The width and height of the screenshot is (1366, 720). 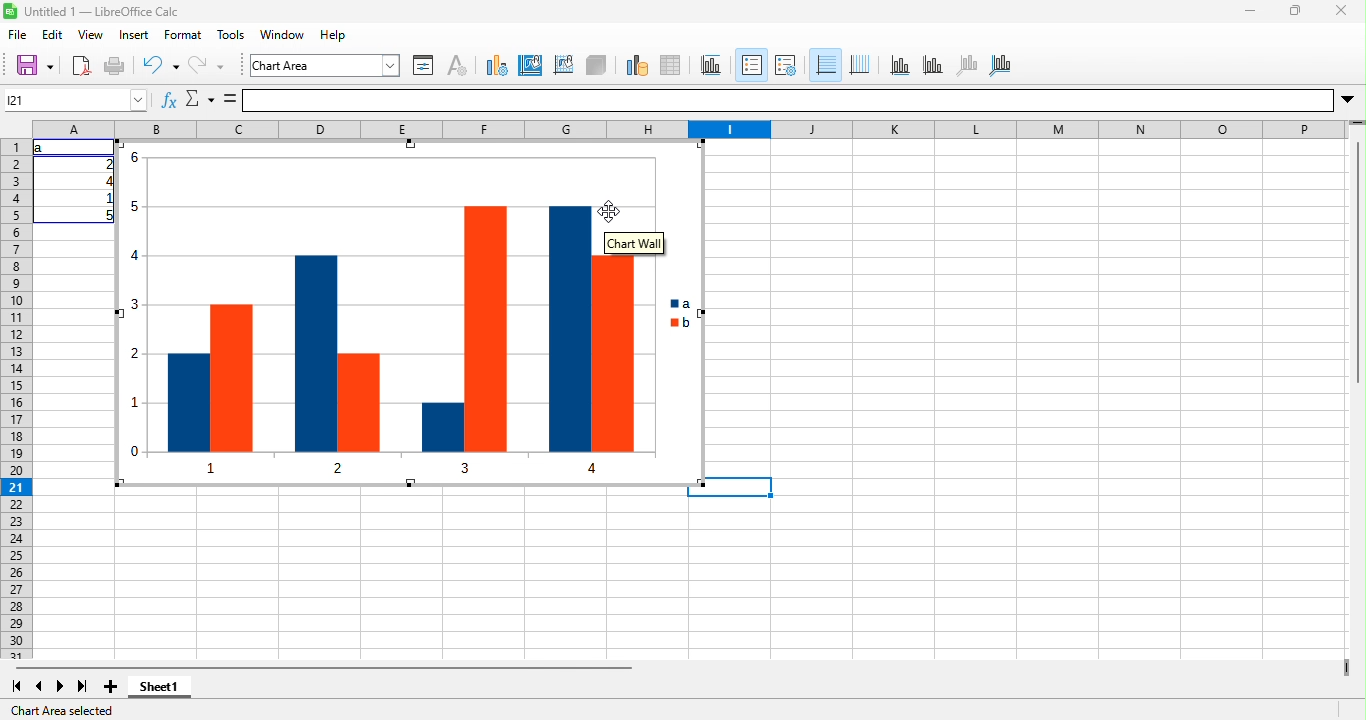 I want to click on data range, so click(x=637, y=67).